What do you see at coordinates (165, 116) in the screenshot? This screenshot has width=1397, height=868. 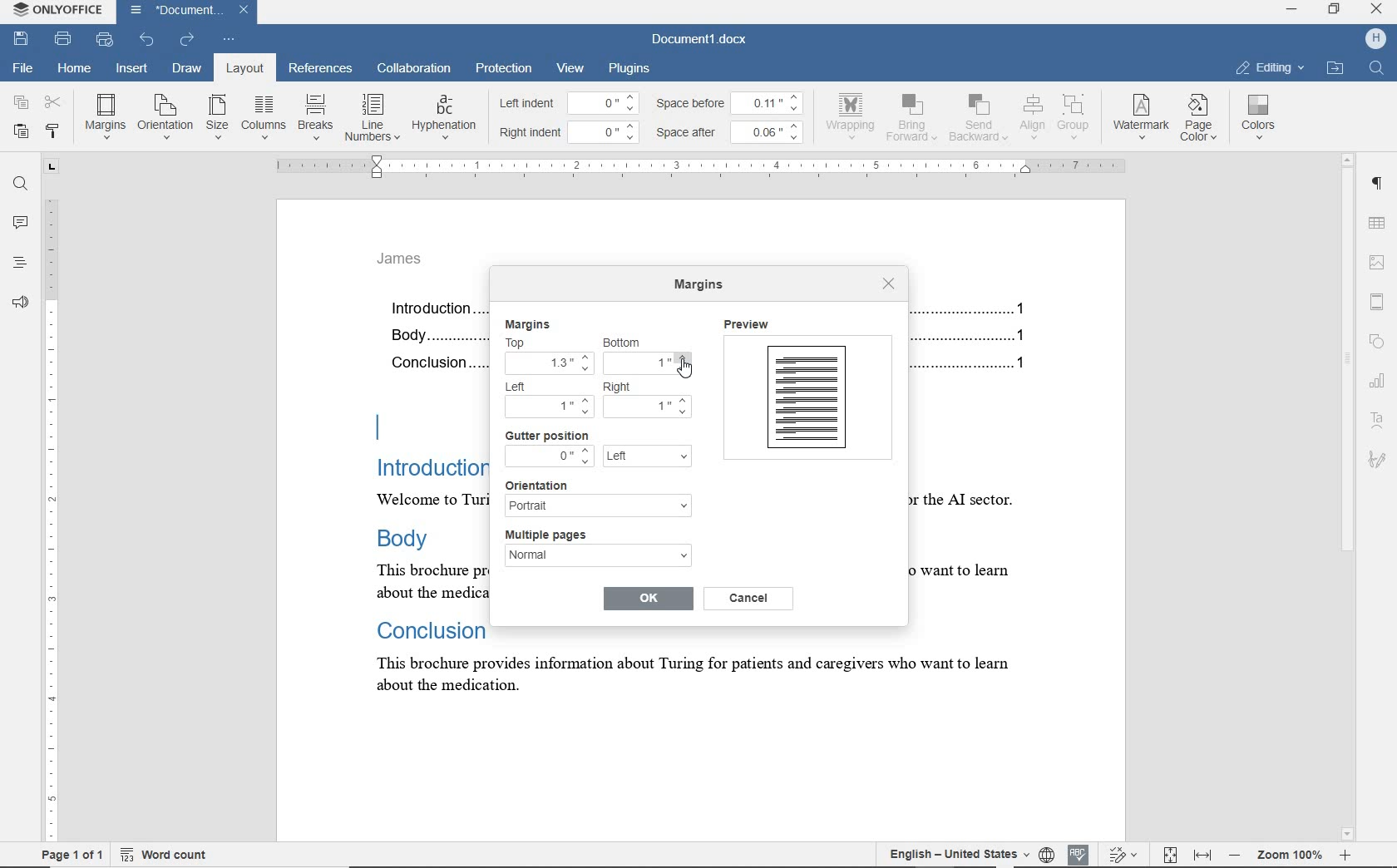 I see `orientation` at bounding box center [165, 116].